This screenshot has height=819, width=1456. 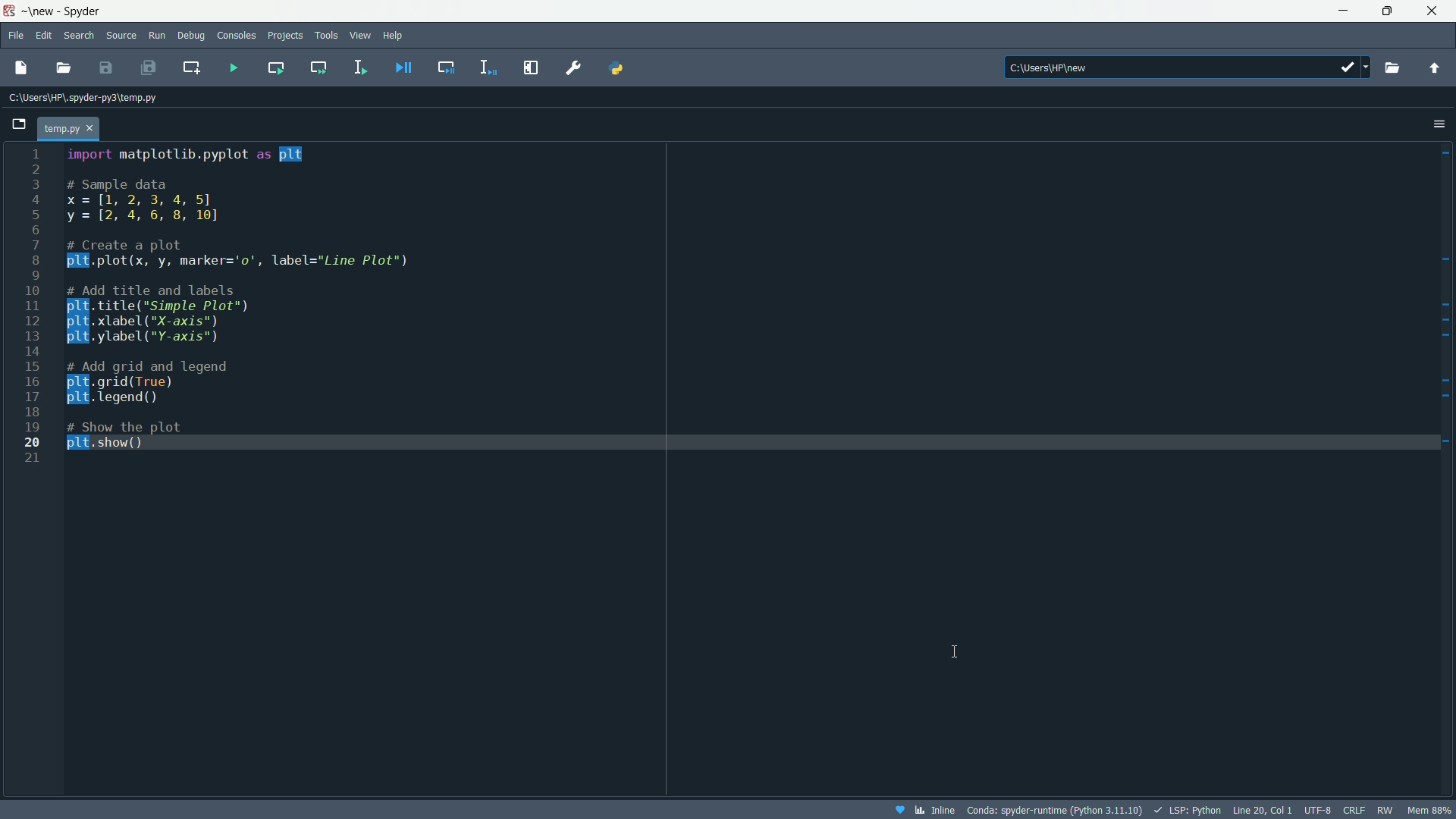 What do you see at coordinates (1053, 811) in the screenshot?
I see `interpreter` at bounding box center [1053, 811].